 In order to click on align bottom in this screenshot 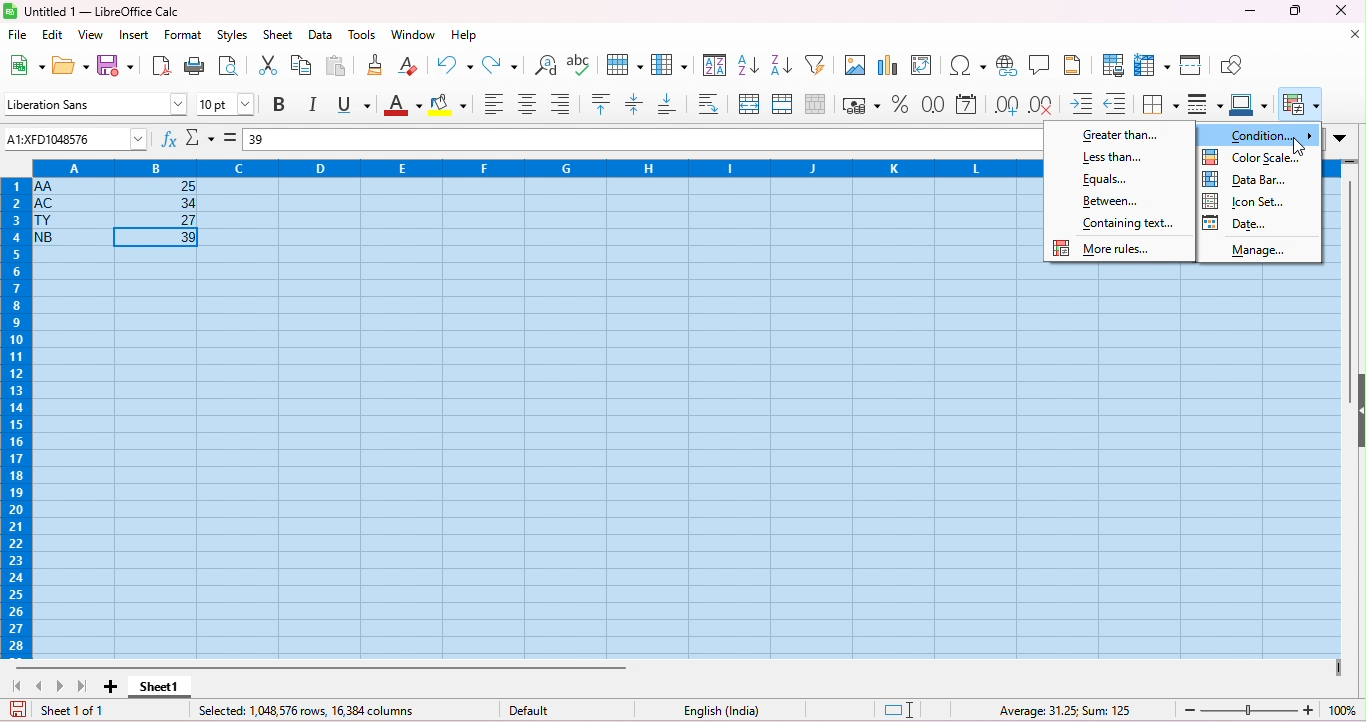, I will do `click(668, 104)`.